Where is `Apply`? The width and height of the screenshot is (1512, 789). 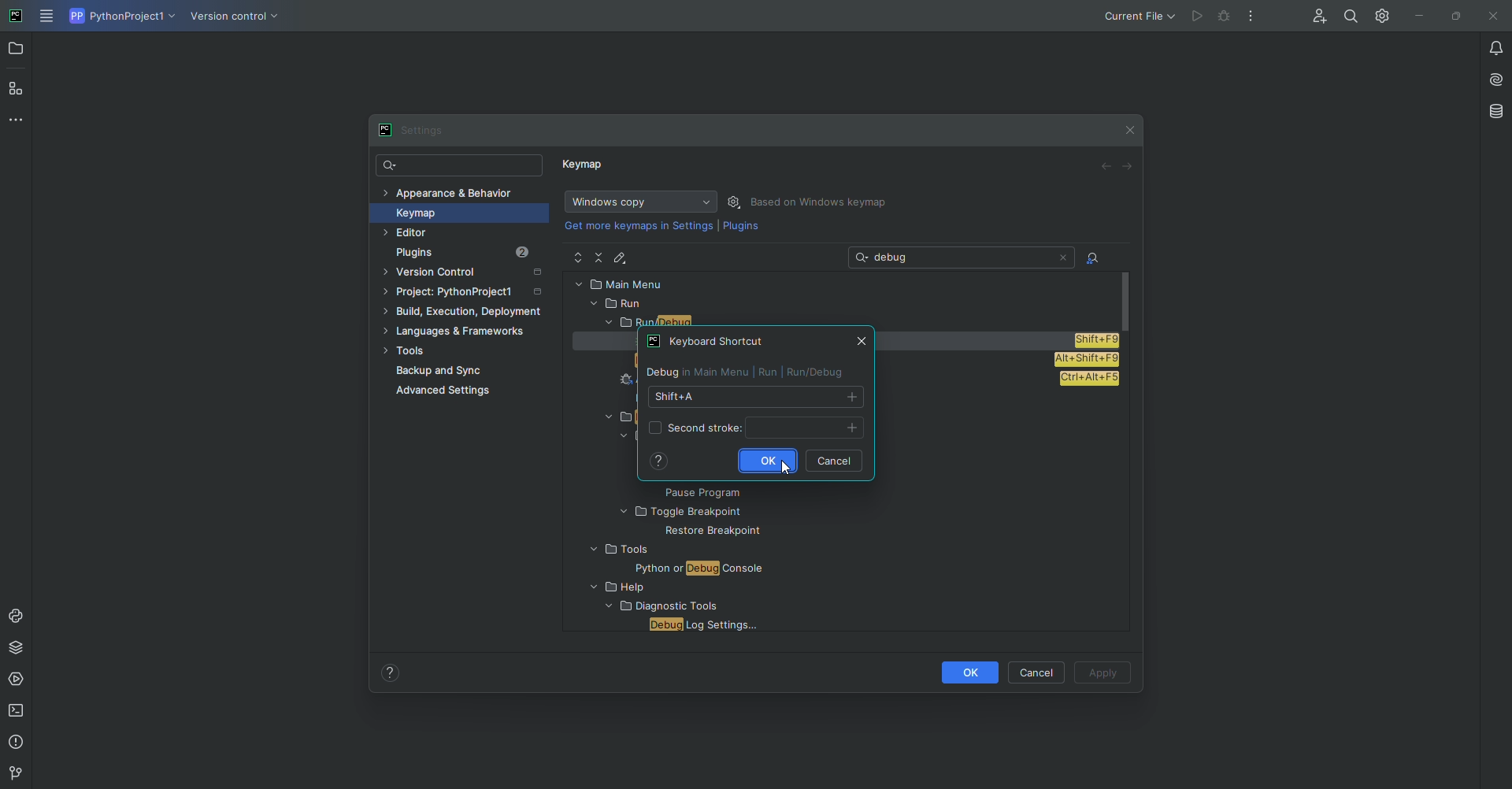 Apply is located at coordinates (1104, 674).